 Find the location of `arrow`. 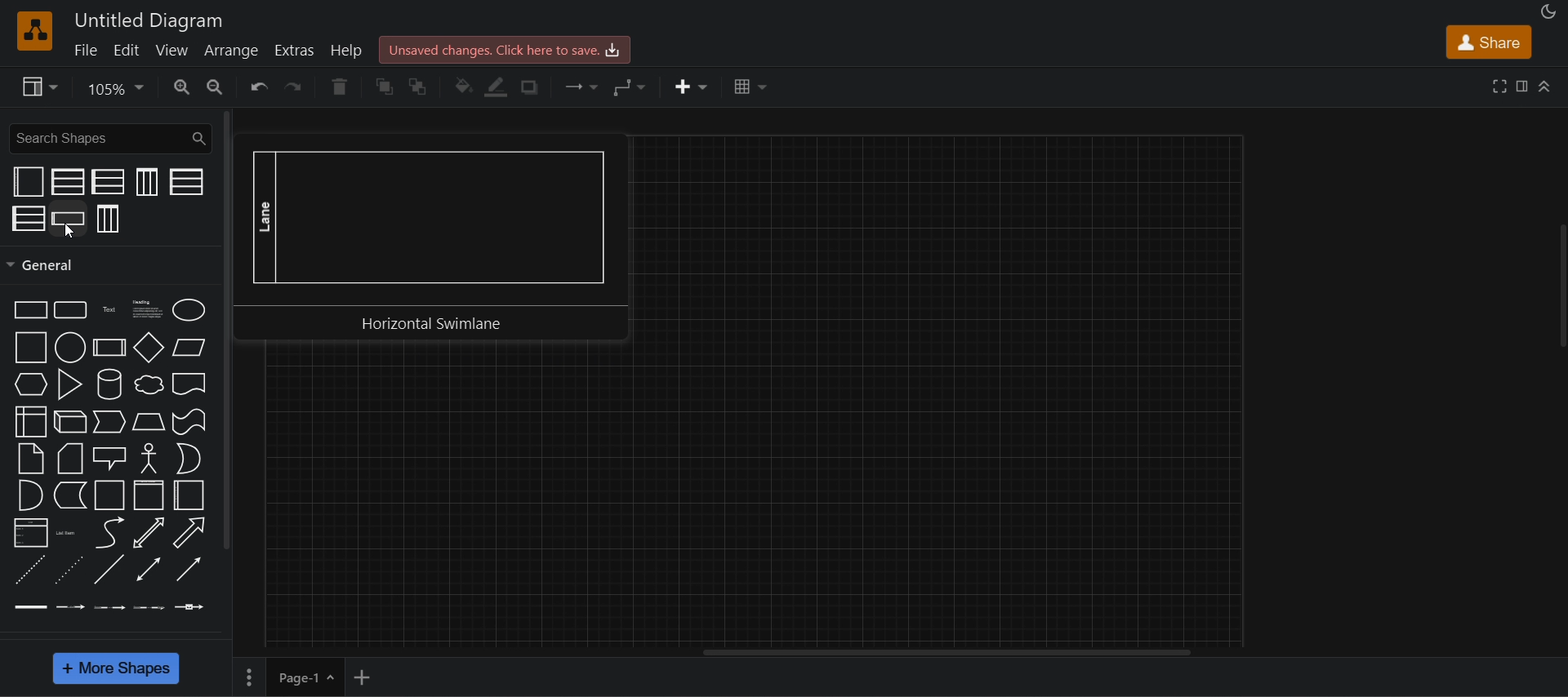

arrow is located at coordinates (190, 532).